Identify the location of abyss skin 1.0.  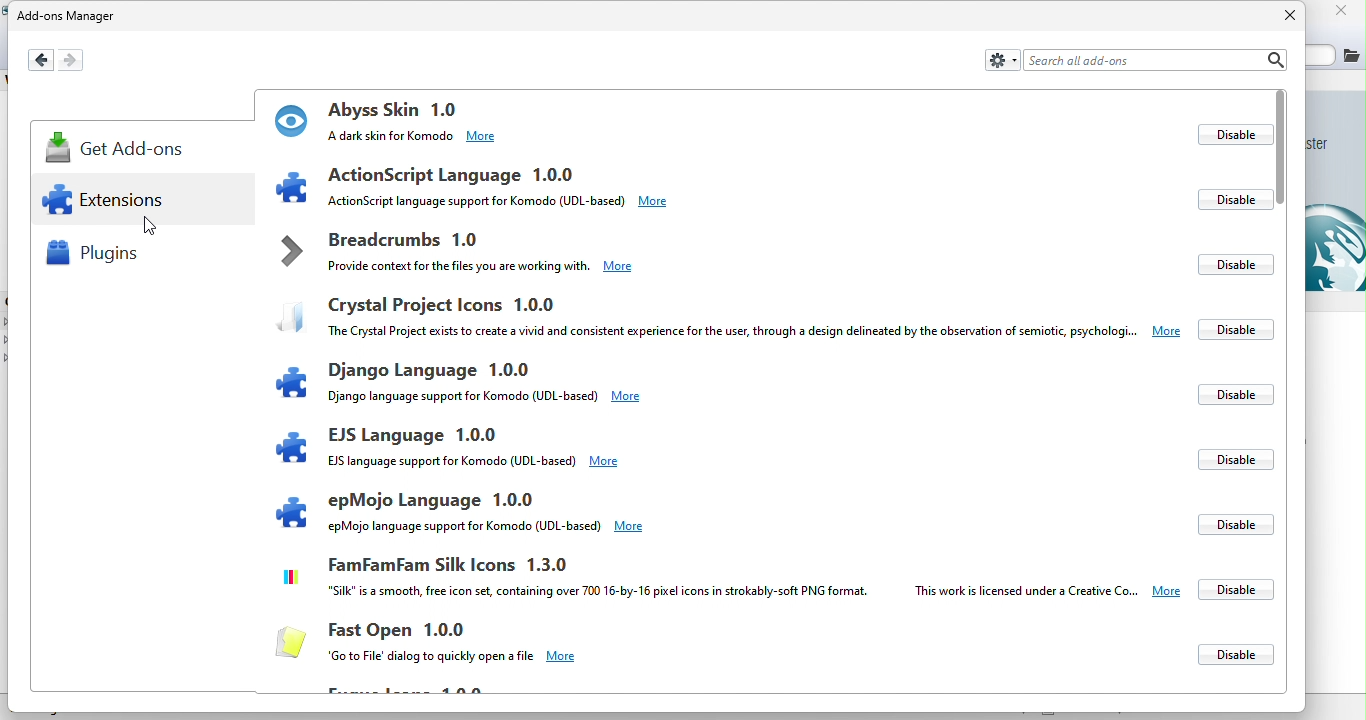
(552, 119).